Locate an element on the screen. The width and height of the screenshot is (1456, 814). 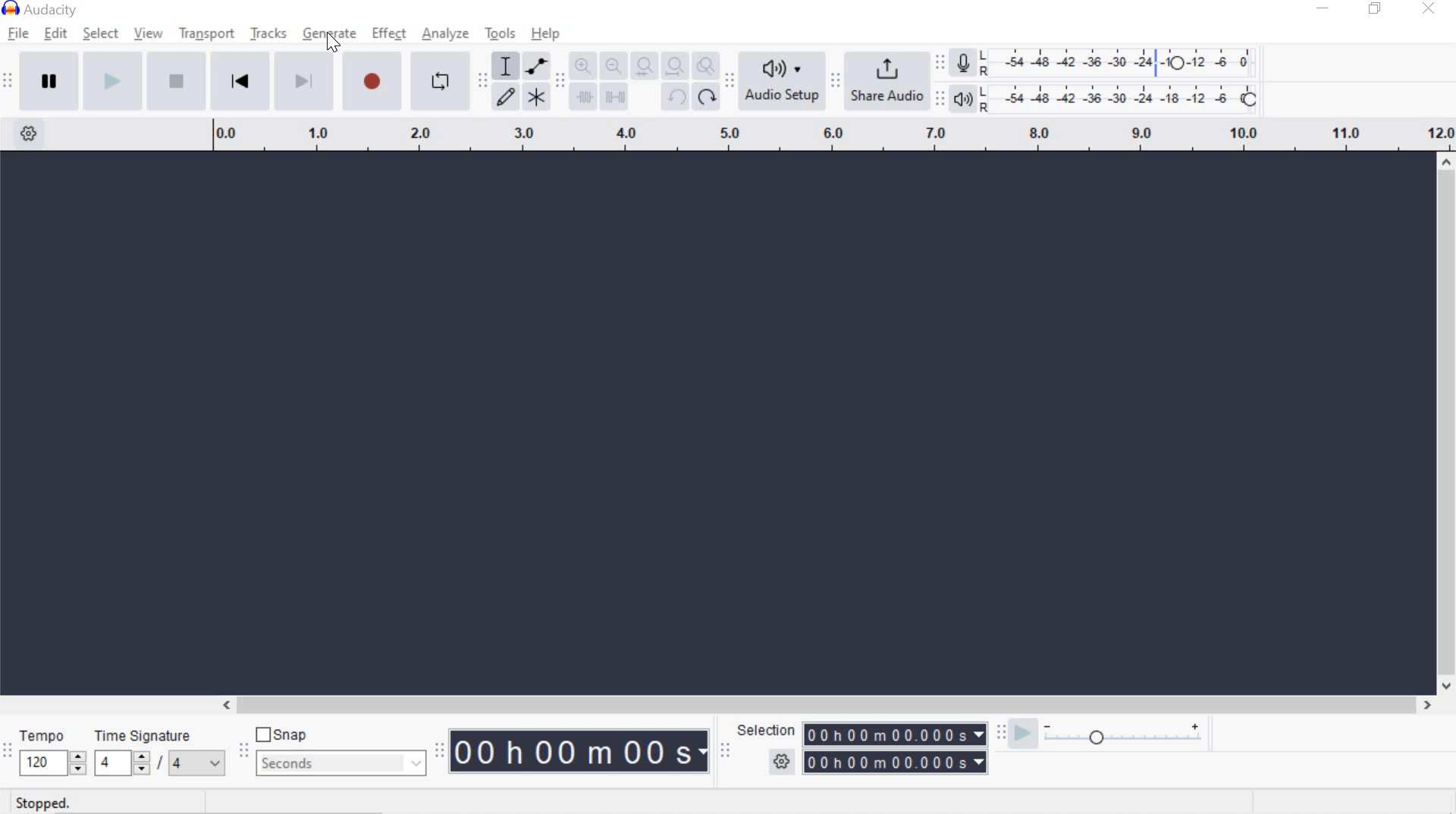
Enable Looping is located at coordinates (438, 80).